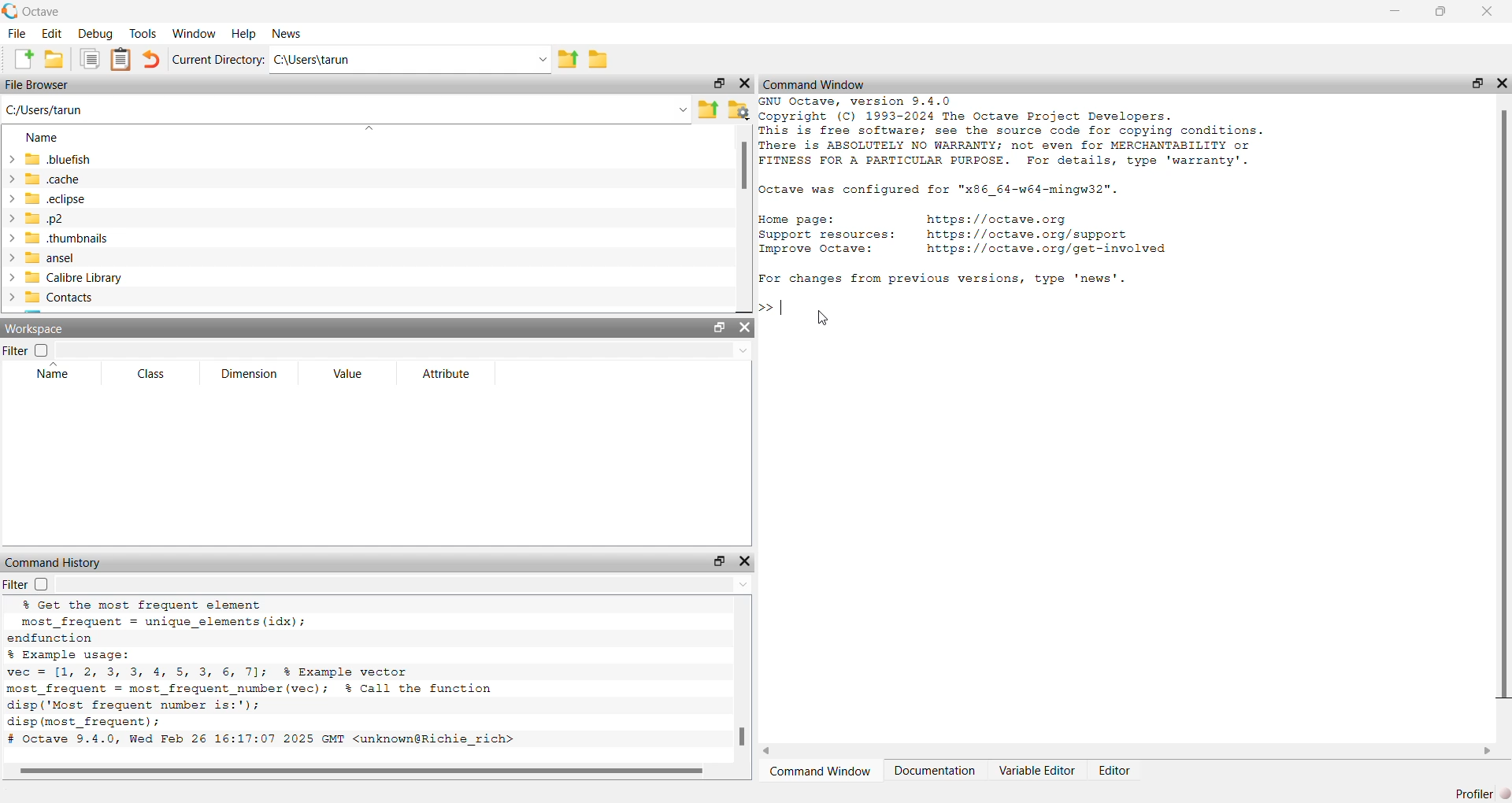  What do you see at coordinates (59, 158) in the screenshot?
I see `.bluefish` at bounding box center [59, 158].